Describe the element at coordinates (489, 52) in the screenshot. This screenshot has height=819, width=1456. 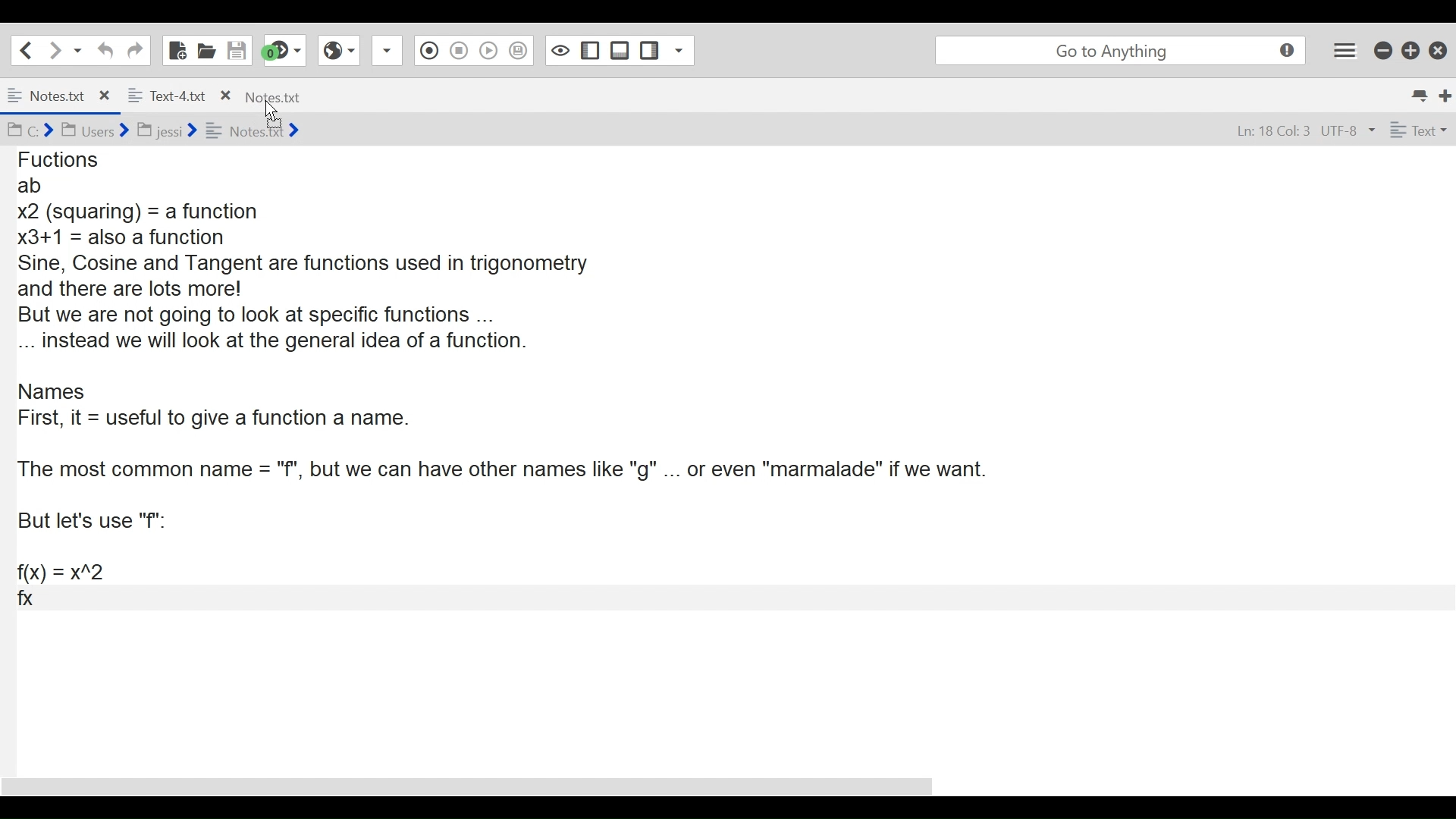
I see `Play Last Macro` at that location.